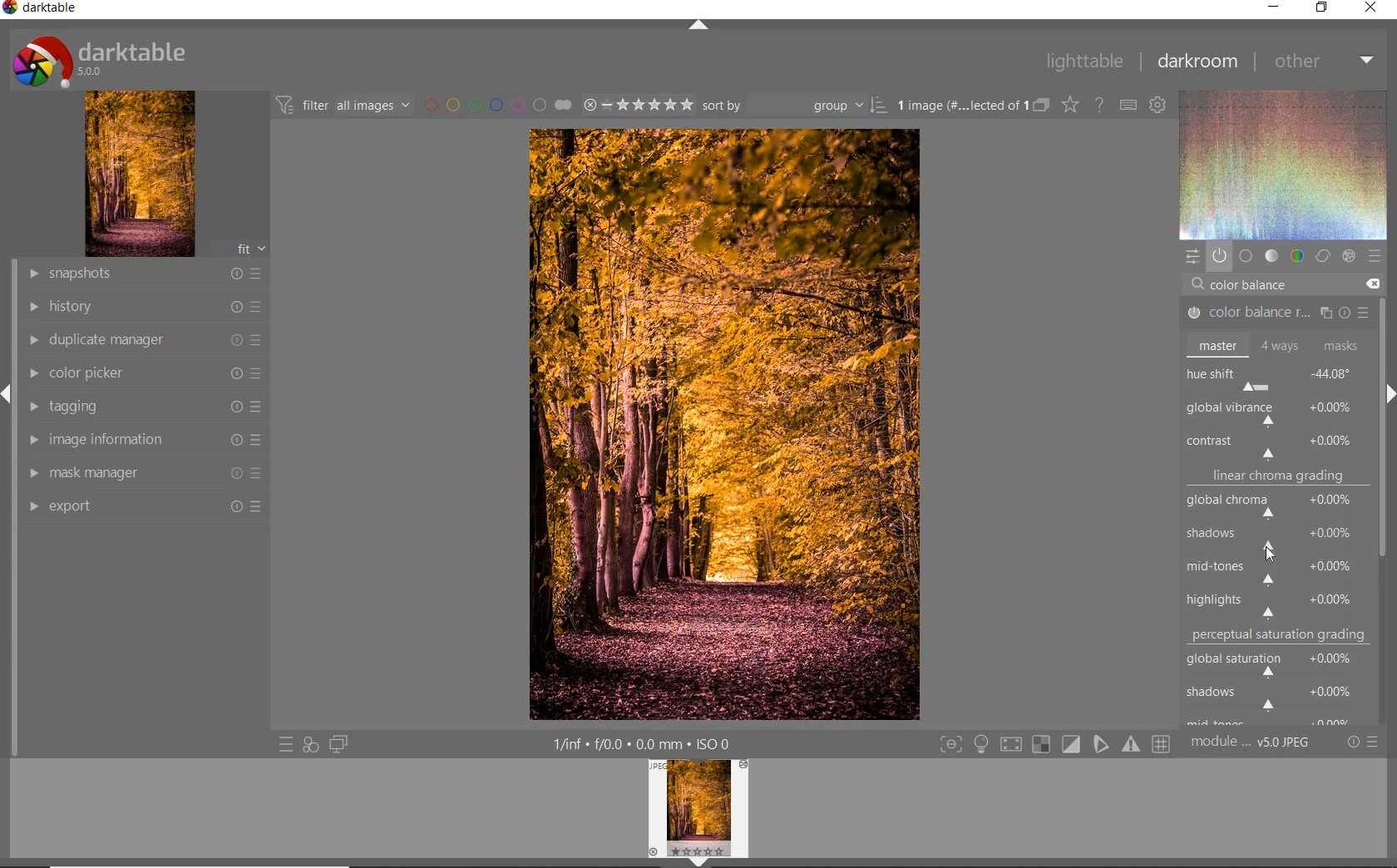  What do you see at coordinates (1277, 374) in the screenshot?
I see `hue shift` at bounding box center [1277, 374].